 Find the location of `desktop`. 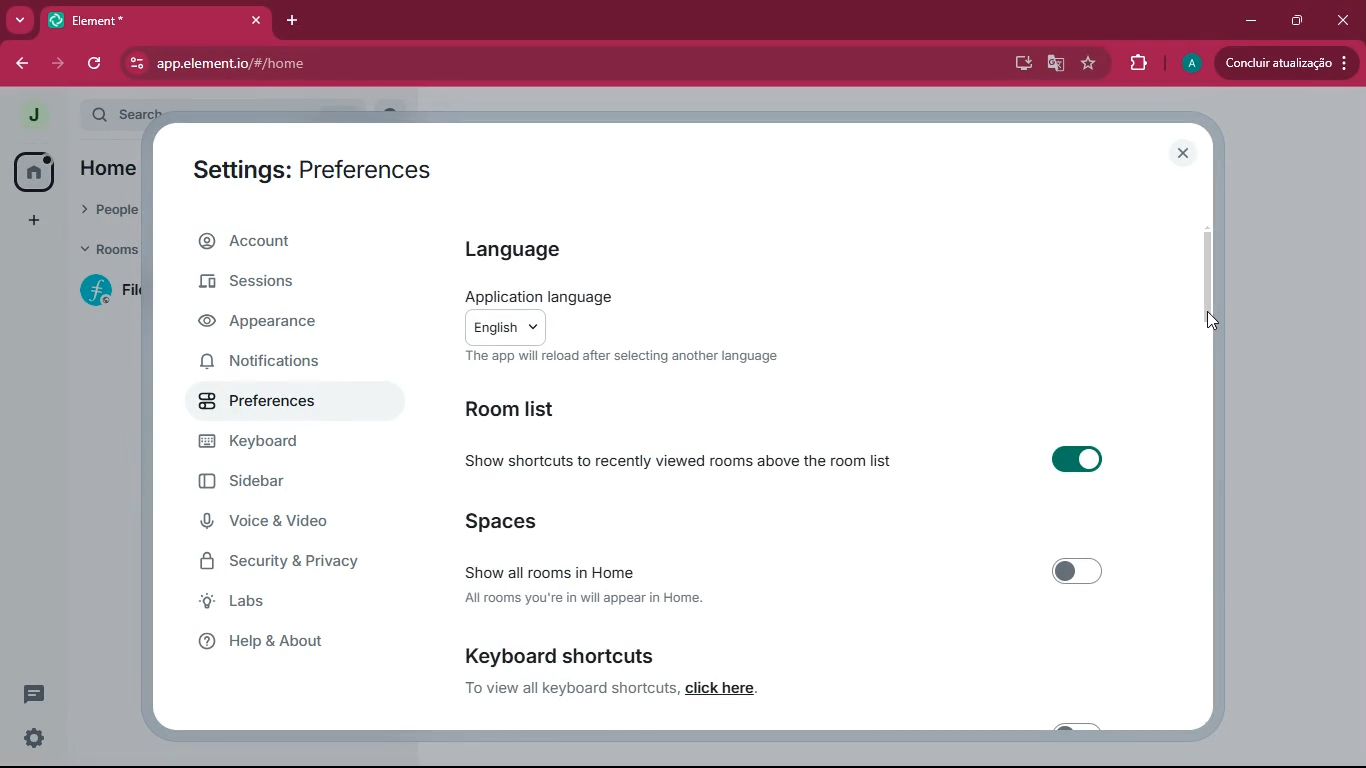

desktop is located at coordinates (1020, 63).